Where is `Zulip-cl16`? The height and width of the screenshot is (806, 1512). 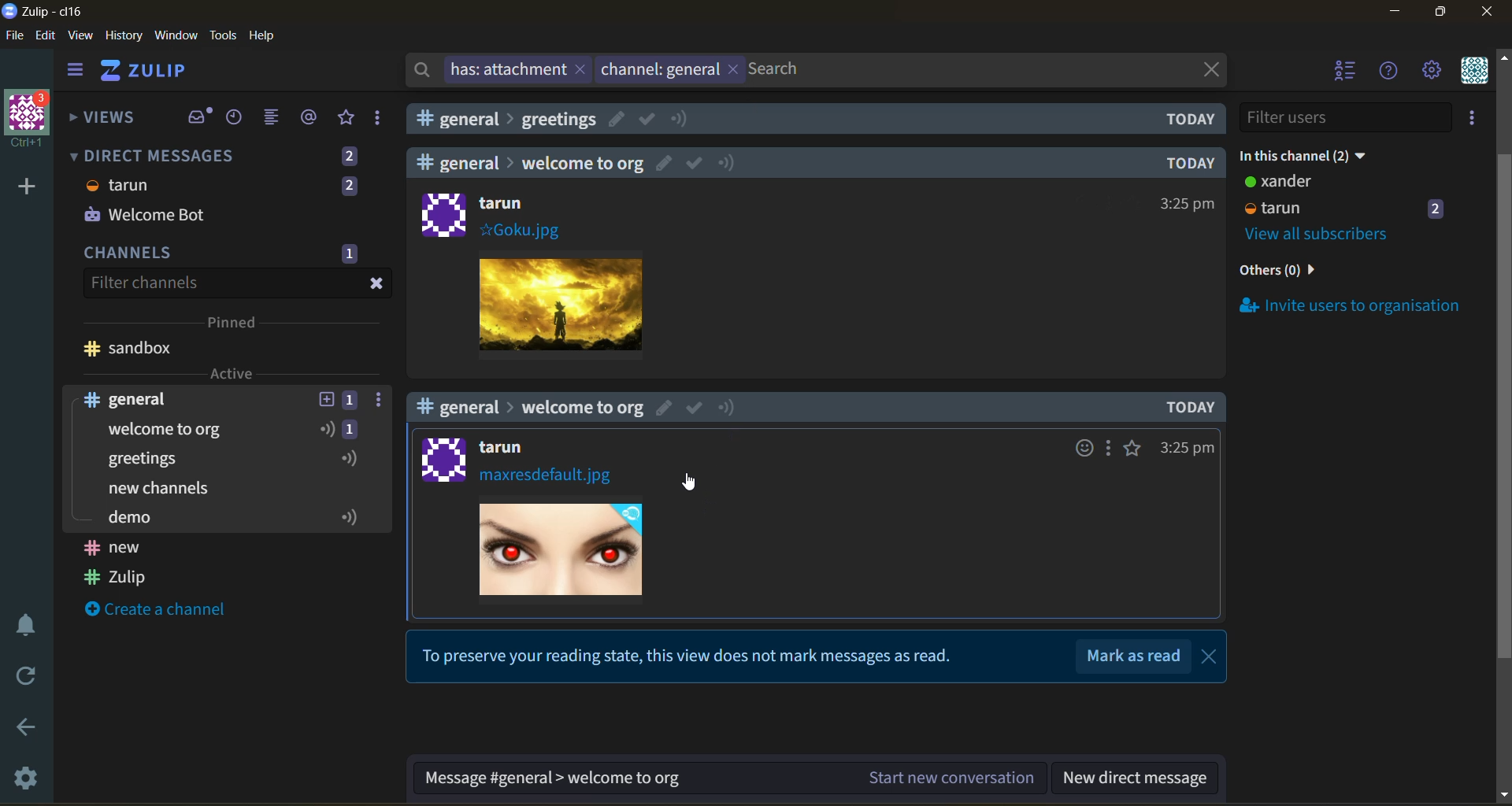 Zulip-cl16 is located at coordinates (46, 10).